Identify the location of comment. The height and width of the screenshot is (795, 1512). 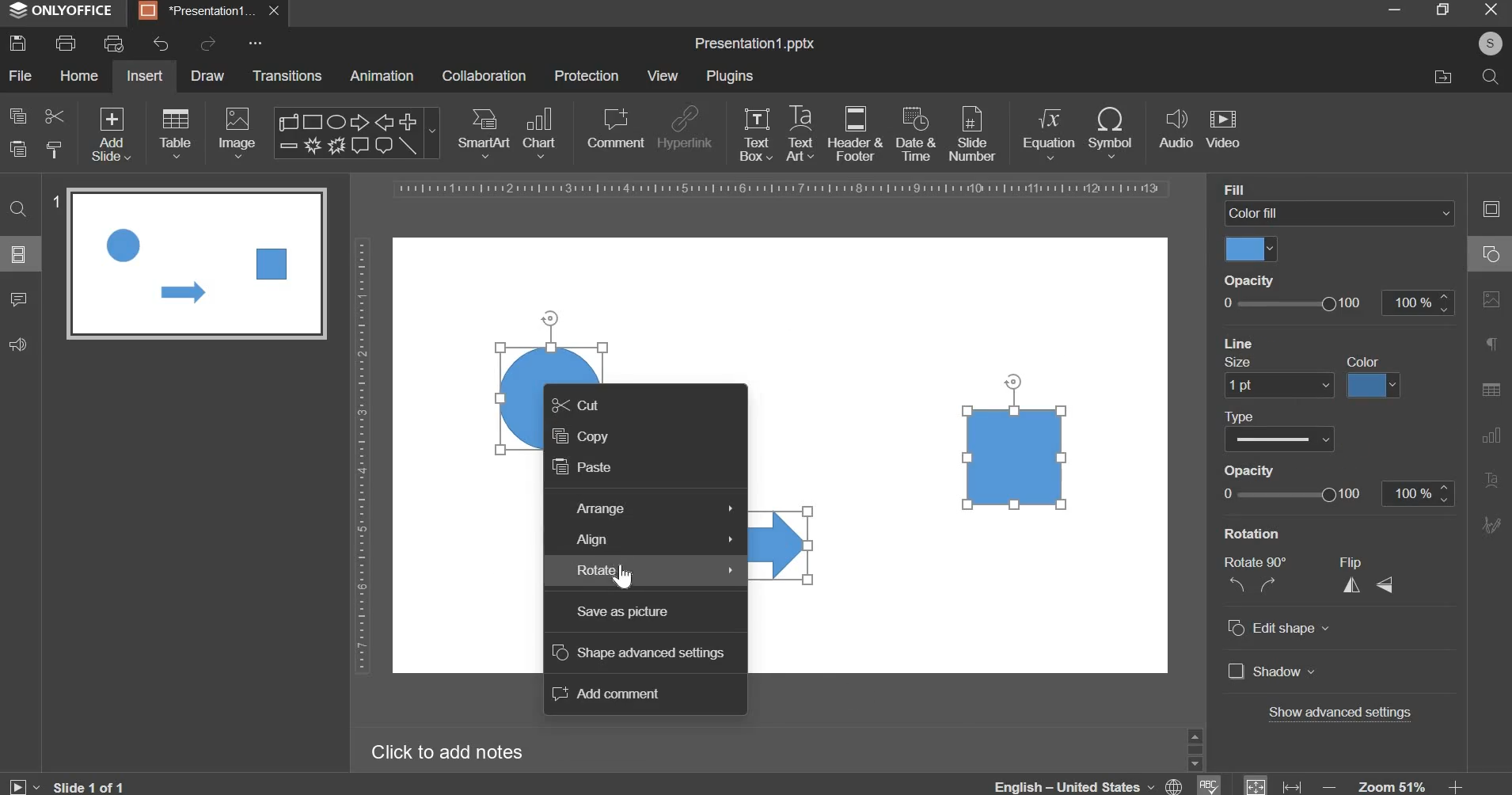
(614, 127).